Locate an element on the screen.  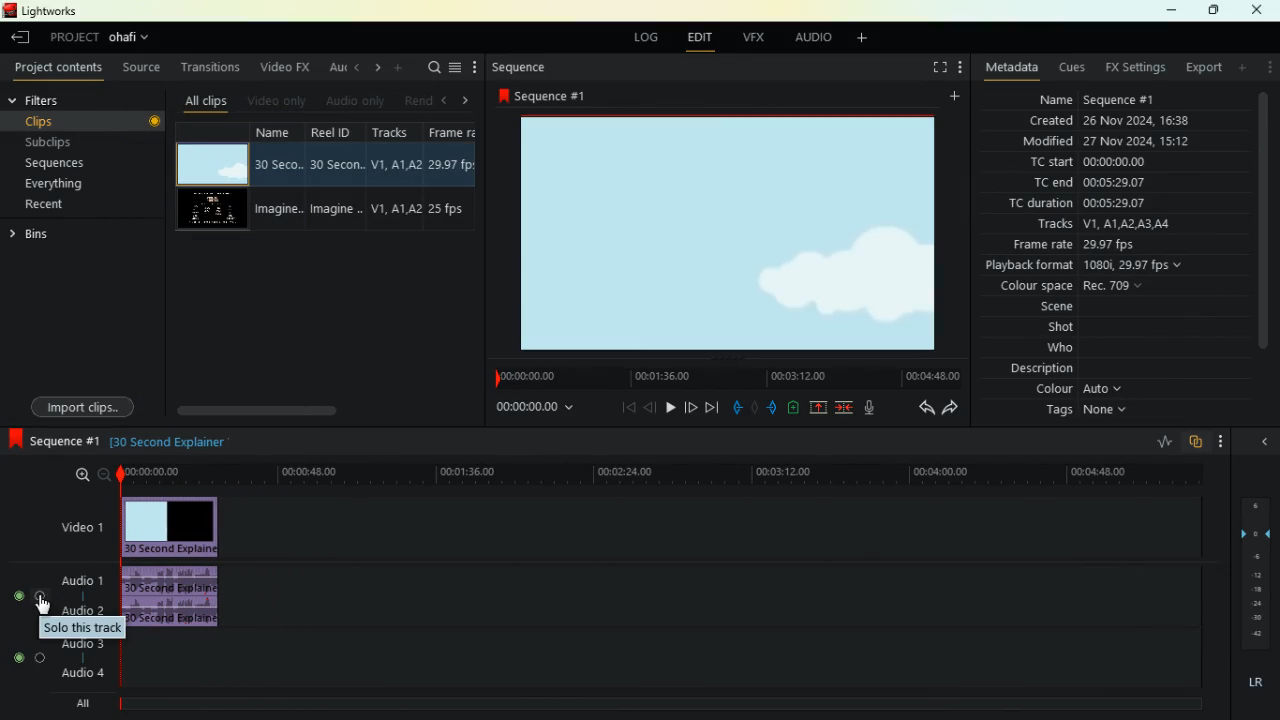
audio 3 is located at coordinates (78, 644).